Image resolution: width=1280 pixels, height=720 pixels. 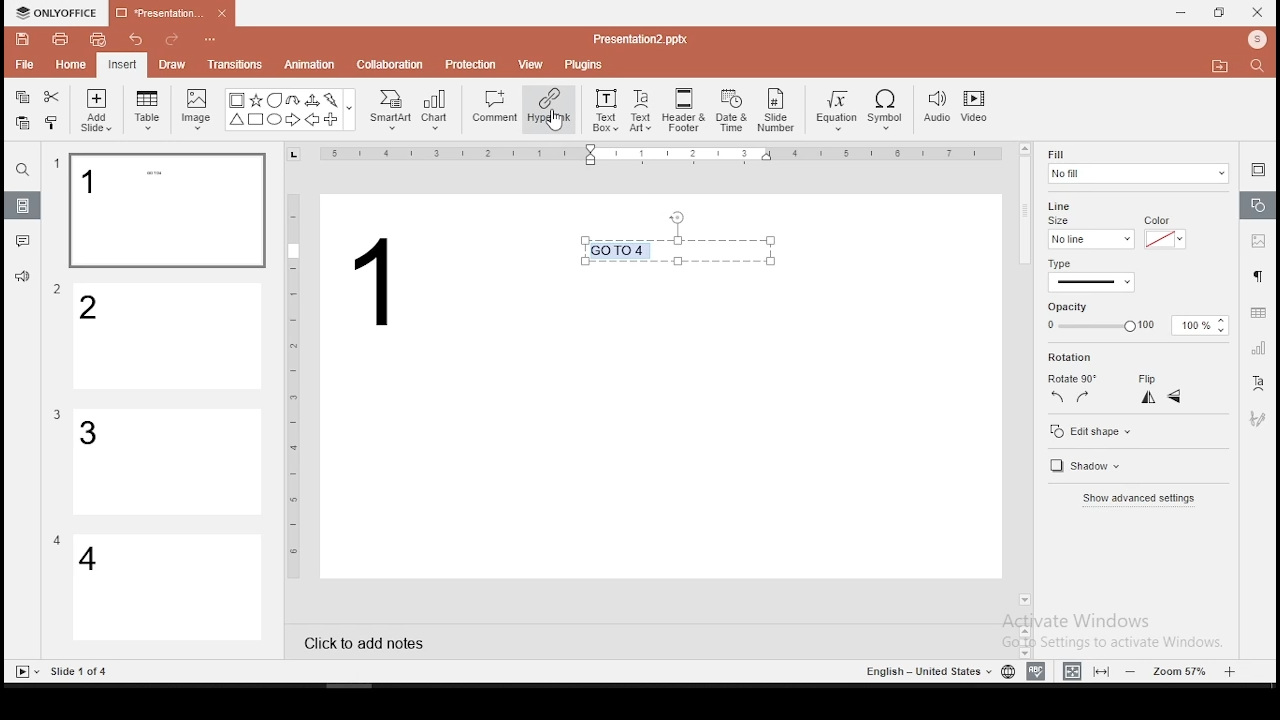 What do you see at coordinates (60, 37) in the screenshot?
I see `print file` at bounding box center [60, 37].